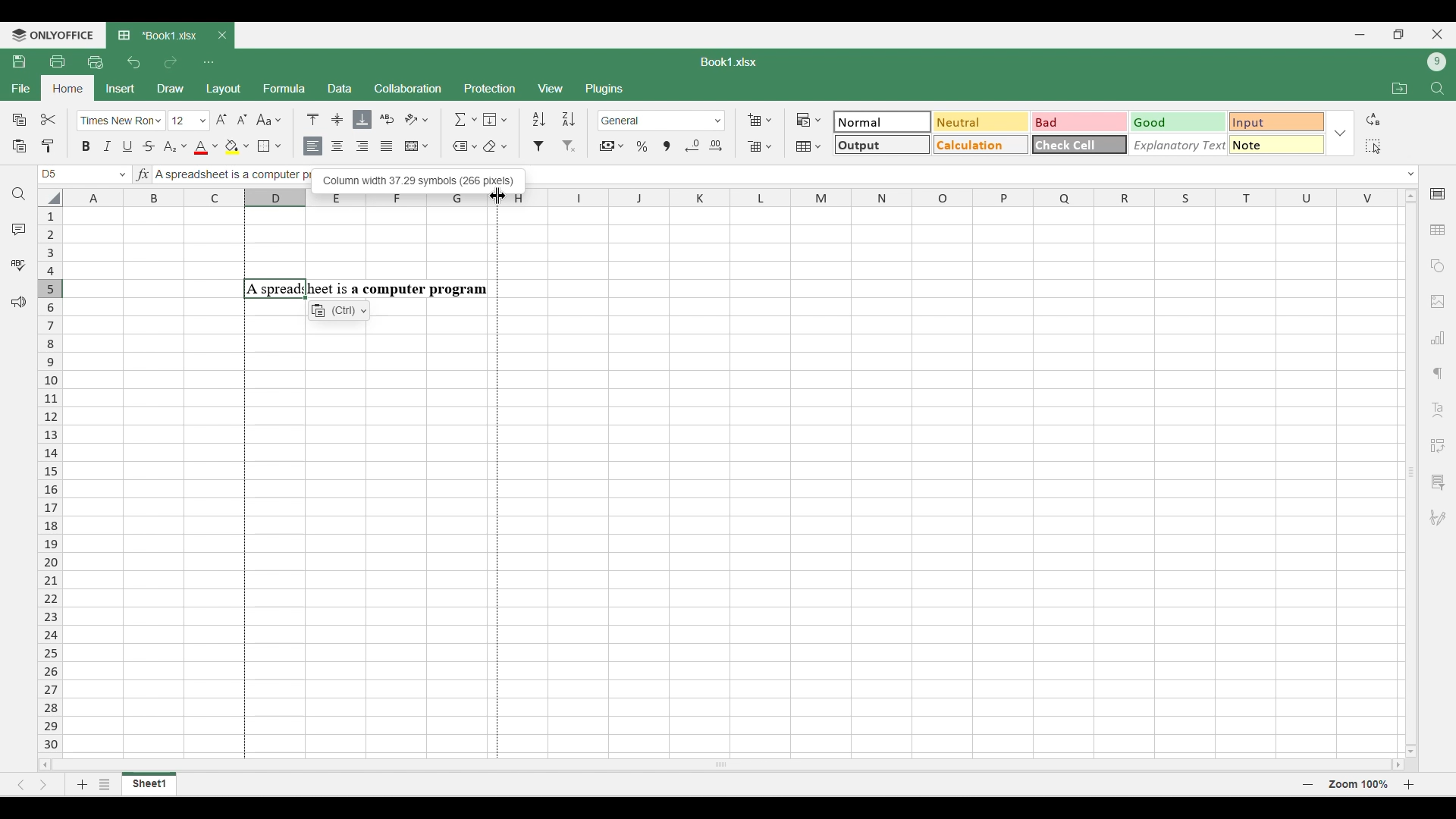 The image size is (1456, 819). I want to click on Previous, so click(20, 785).